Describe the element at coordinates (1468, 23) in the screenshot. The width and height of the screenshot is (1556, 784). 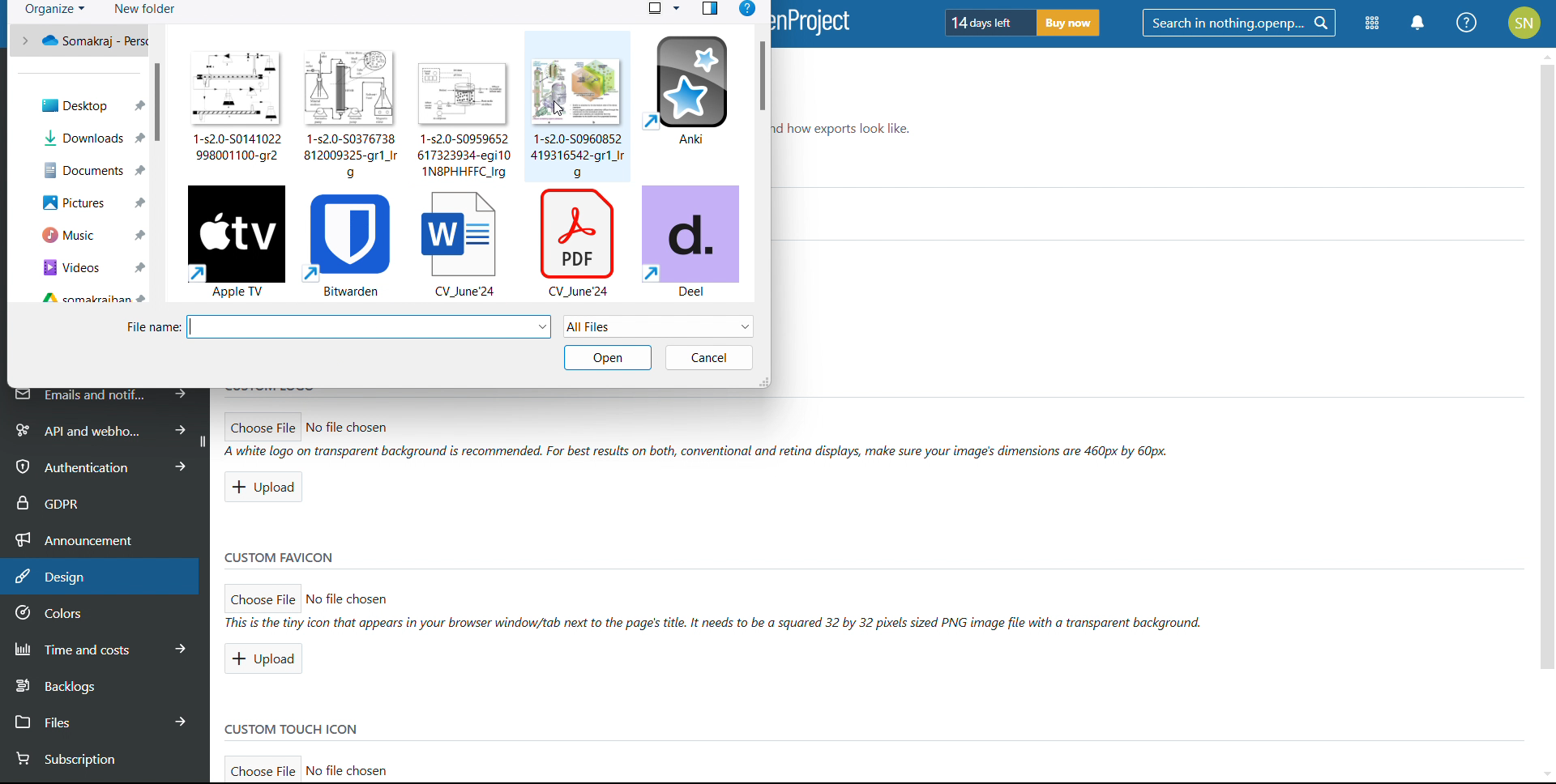
I see `help` at that location.